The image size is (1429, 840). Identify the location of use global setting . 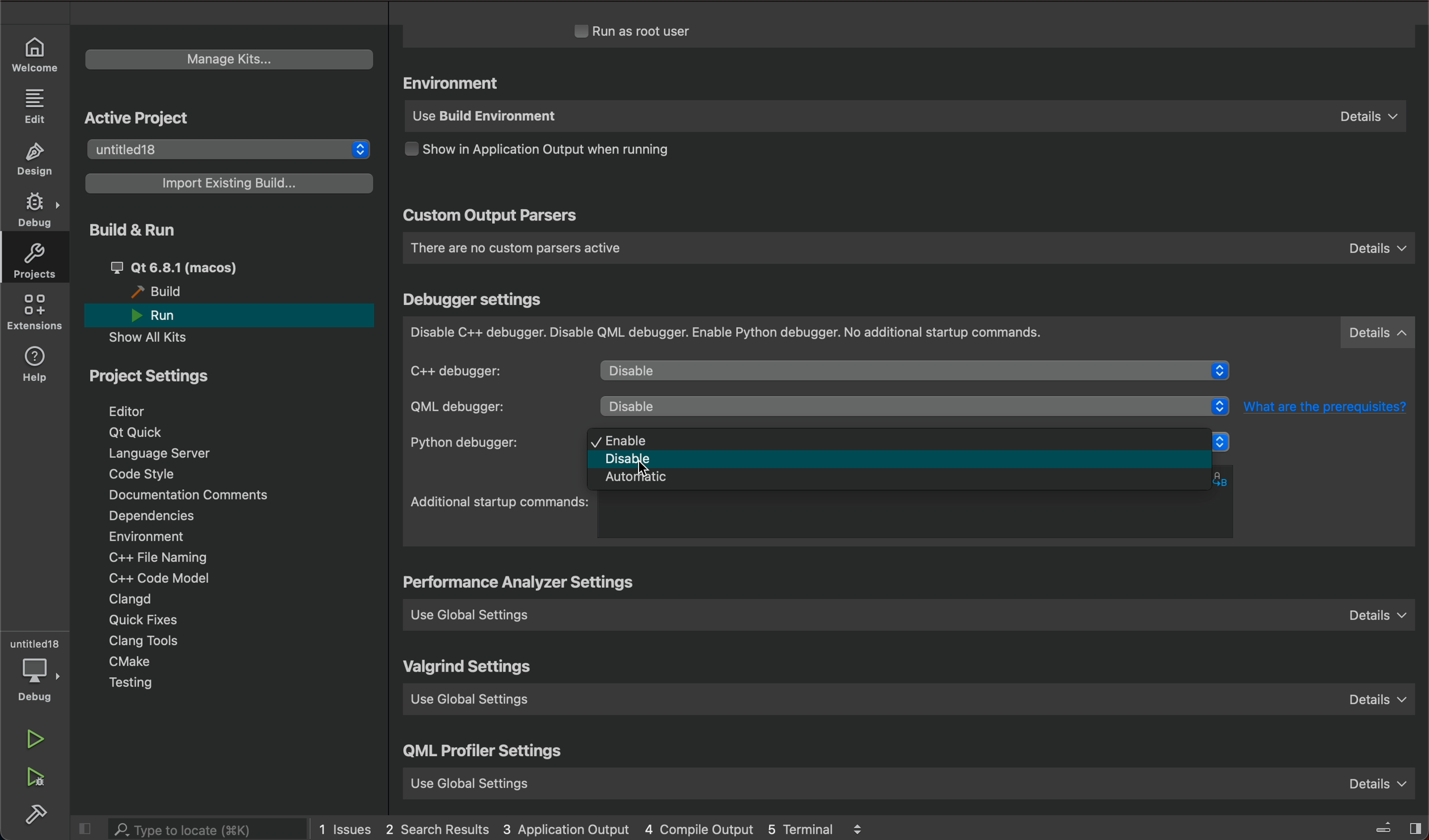
(913, 703).